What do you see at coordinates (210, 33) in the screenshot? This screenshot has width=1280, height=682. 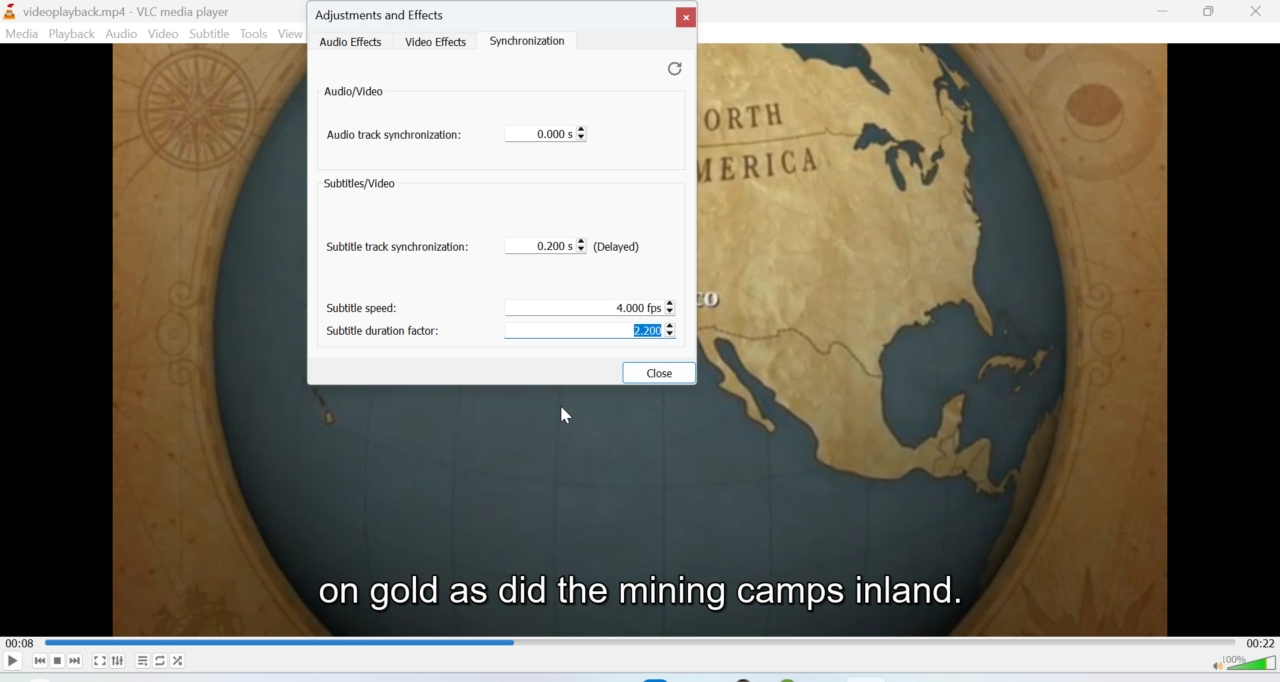 I see `Subtitle` at bounding box center [210, 33].